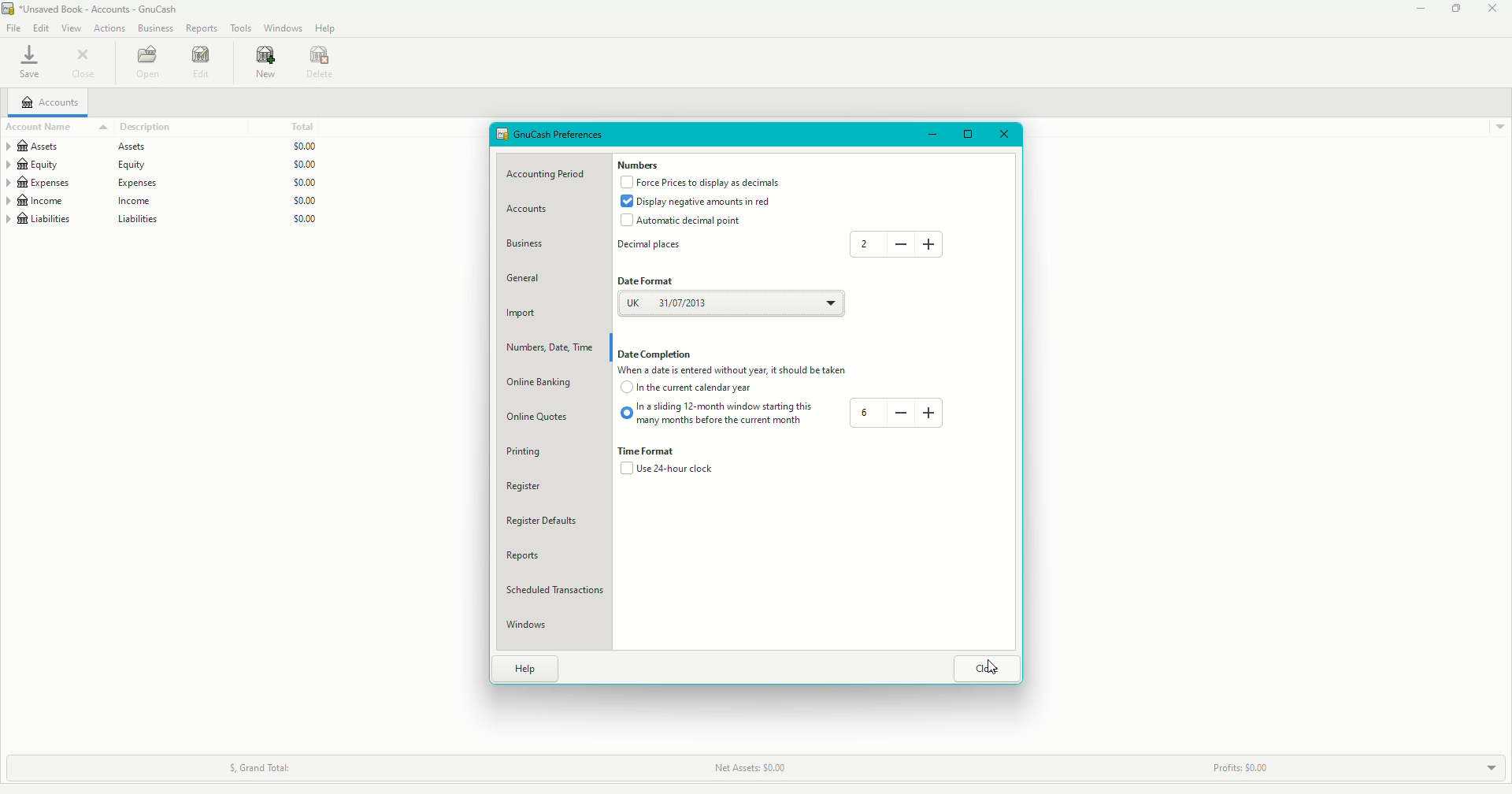  Describe the element at coordinates (529, 669) in the screenshot. I see `Help` at that location.